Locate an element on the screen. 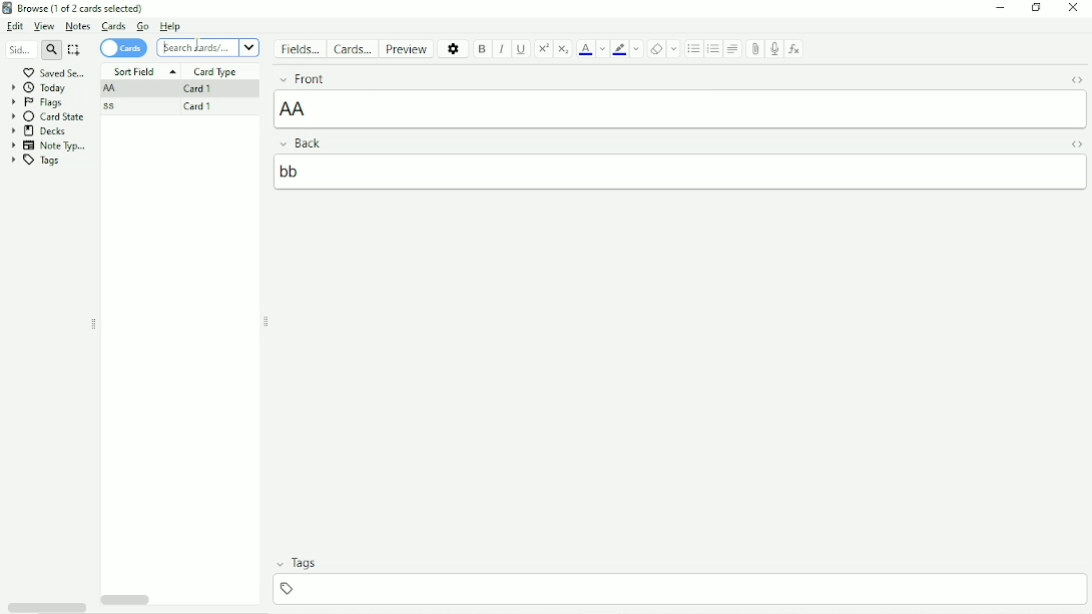  Change color is located at coordinates (638, 49).